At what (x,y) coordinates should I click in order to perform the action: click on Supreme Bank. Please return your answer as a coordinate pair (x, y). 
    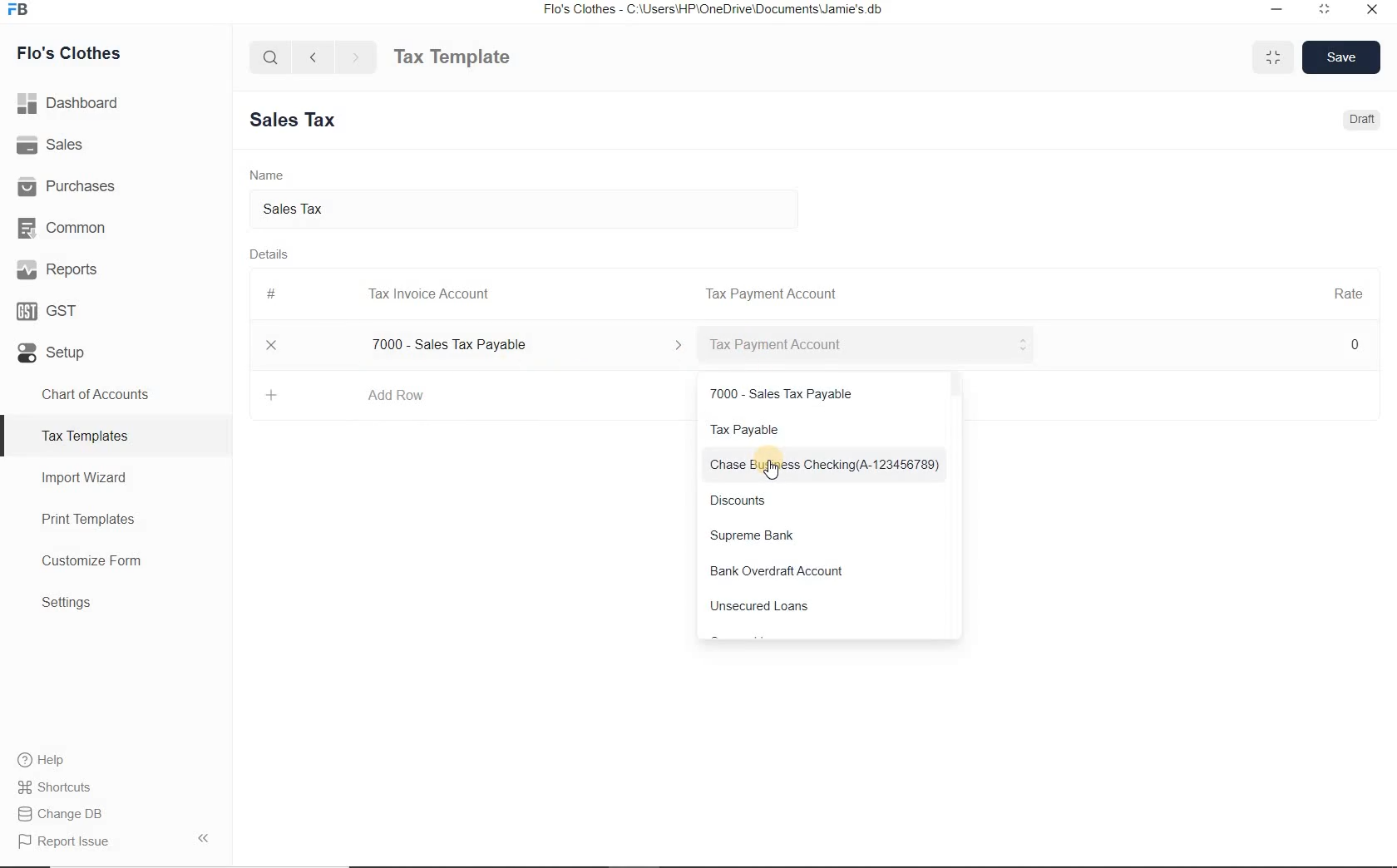
    Looking at the image, I should click on (827, 535).